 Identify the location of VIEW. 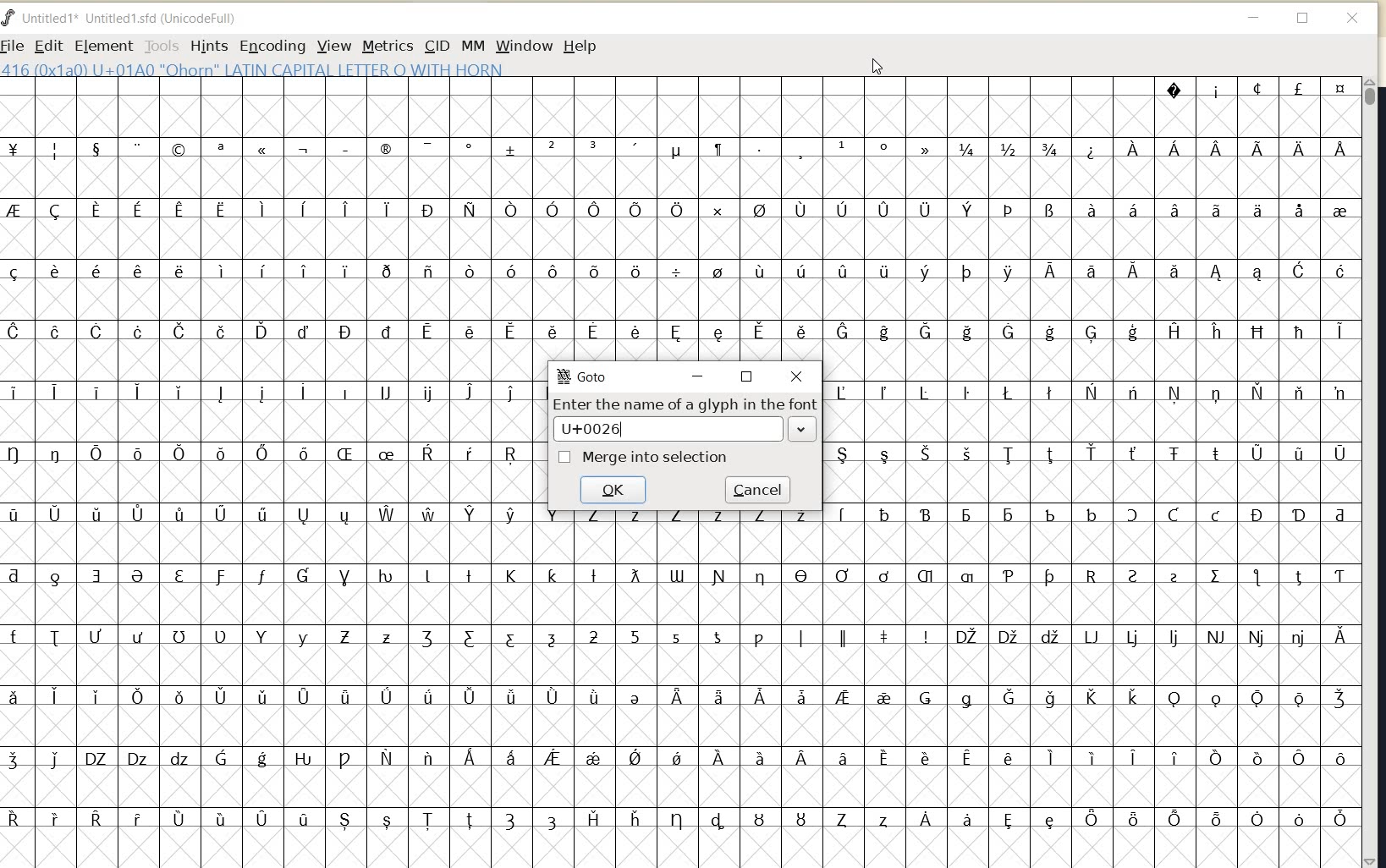
(335, 46).